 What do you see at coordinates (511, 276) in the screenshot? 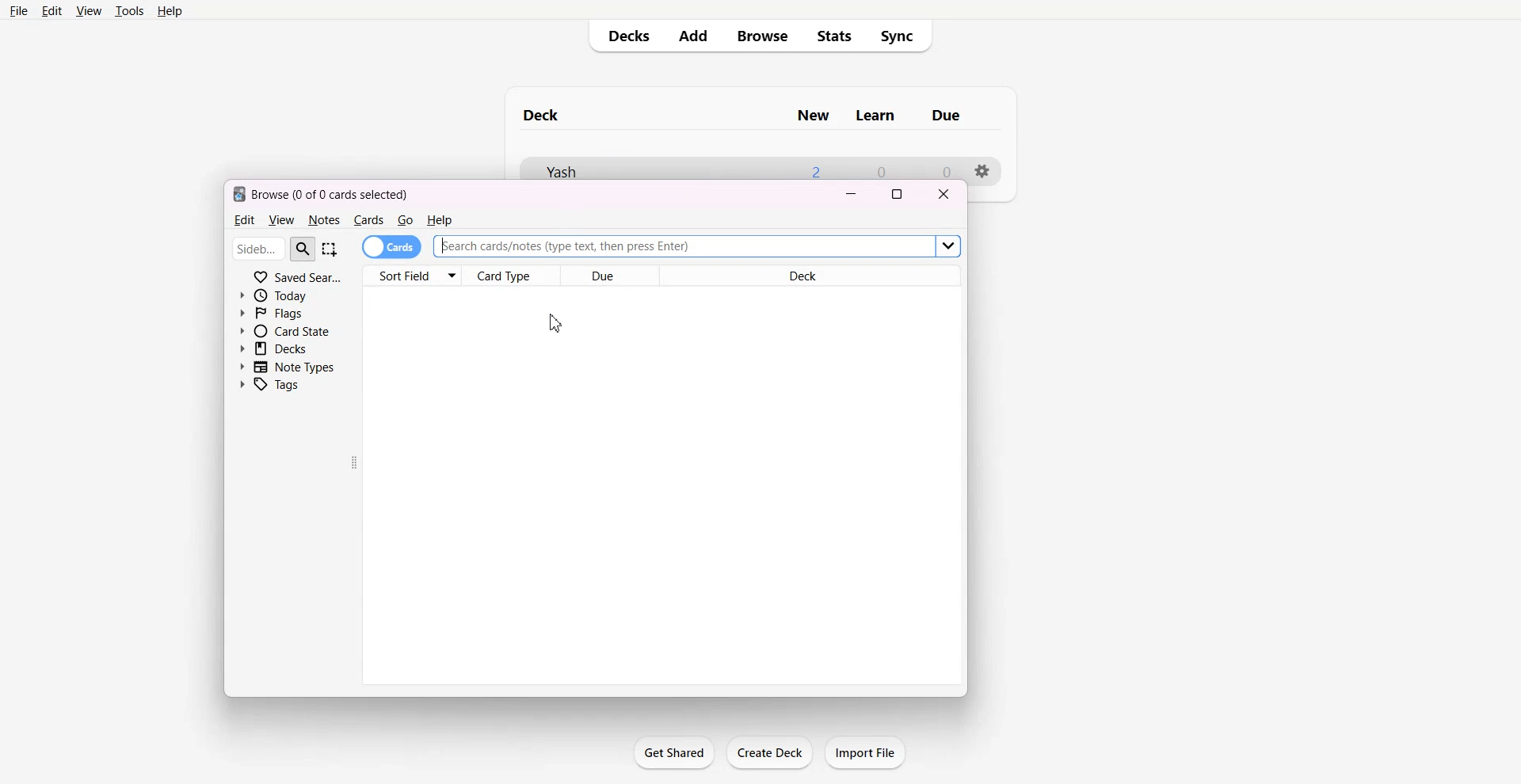
I see `Card Type` at bounding box center [511, 276].